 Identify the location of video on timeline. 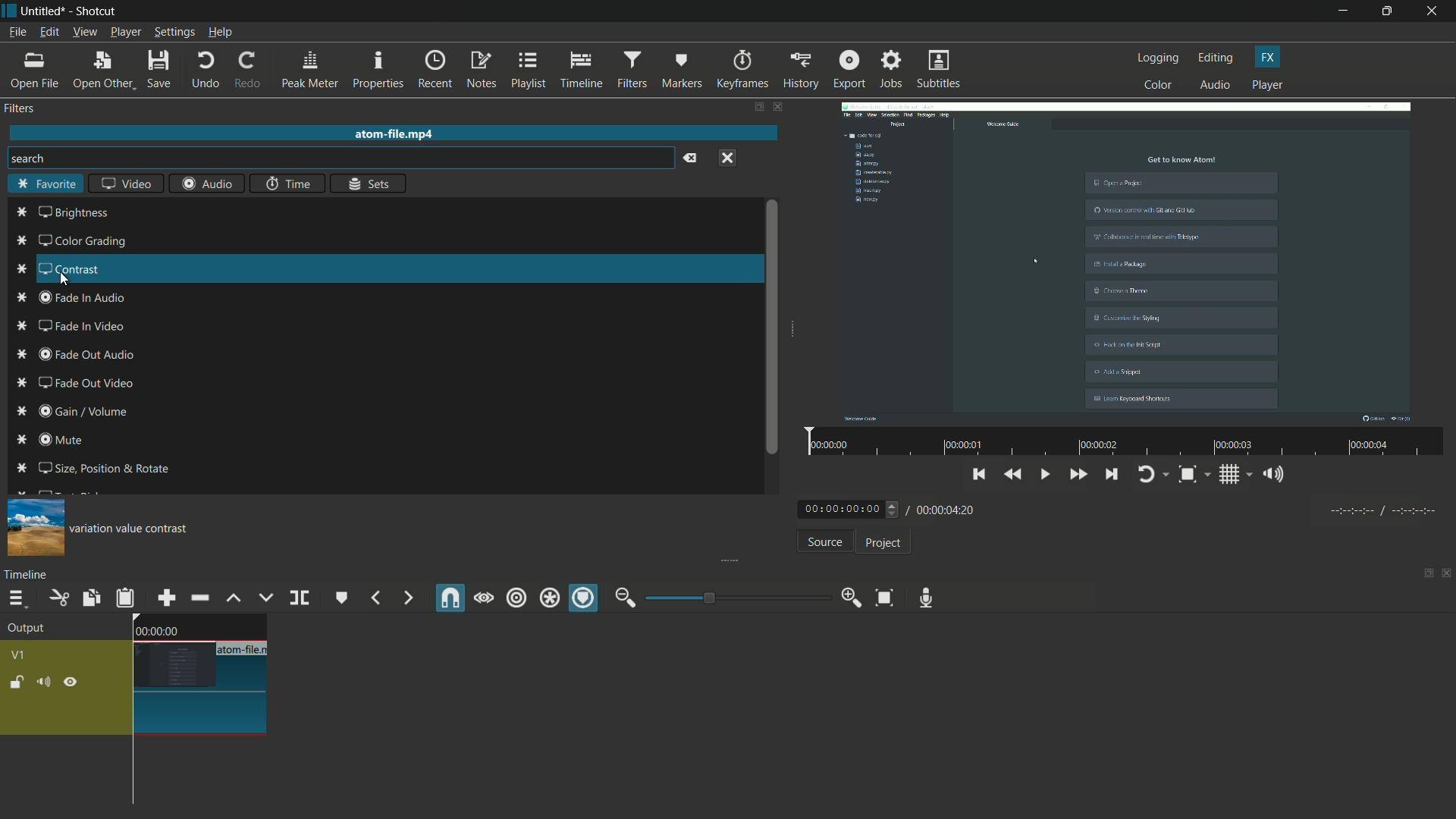
(198, 674).